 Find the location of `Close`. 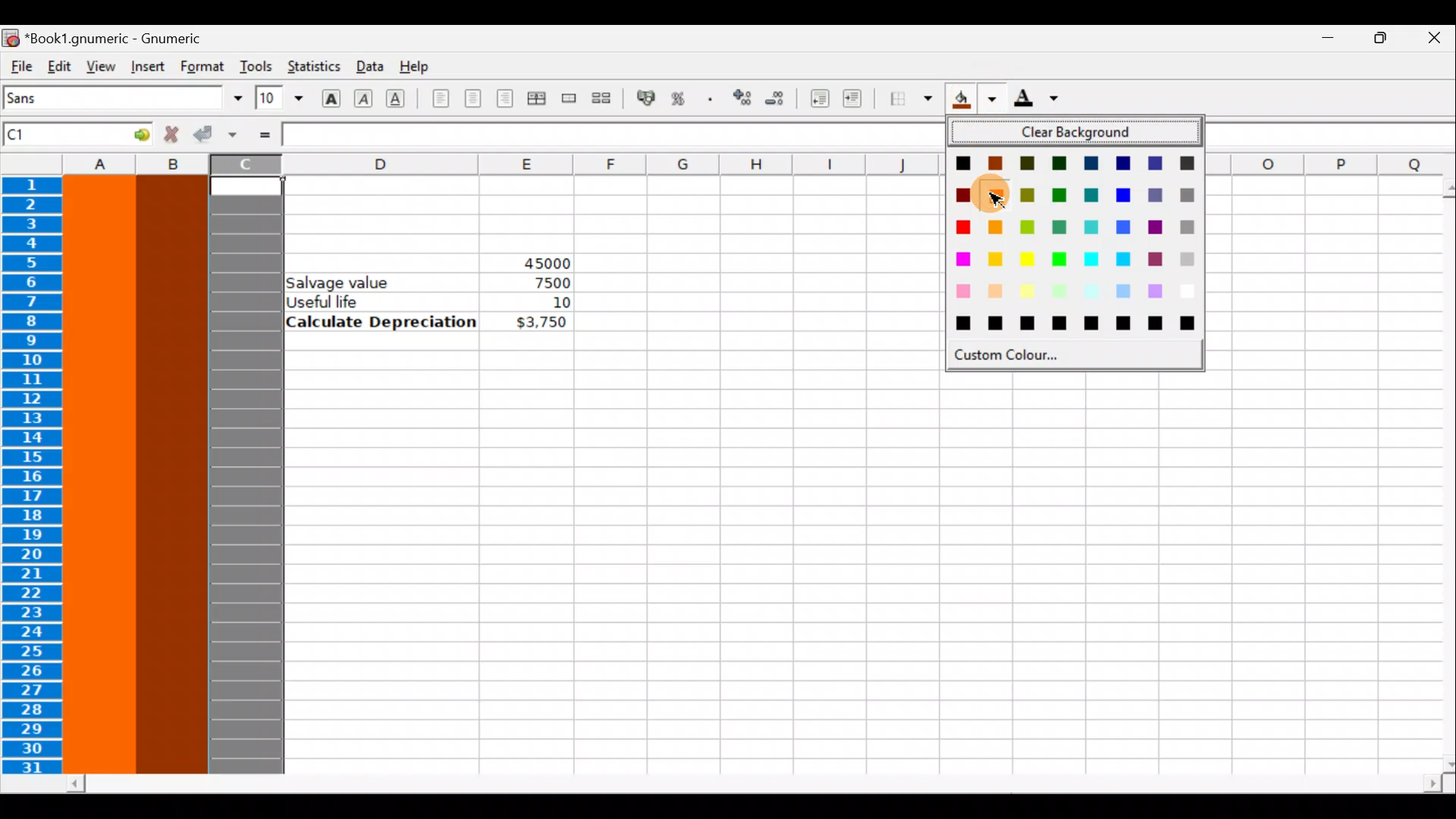

Close is located at coordinates (1433, 40).